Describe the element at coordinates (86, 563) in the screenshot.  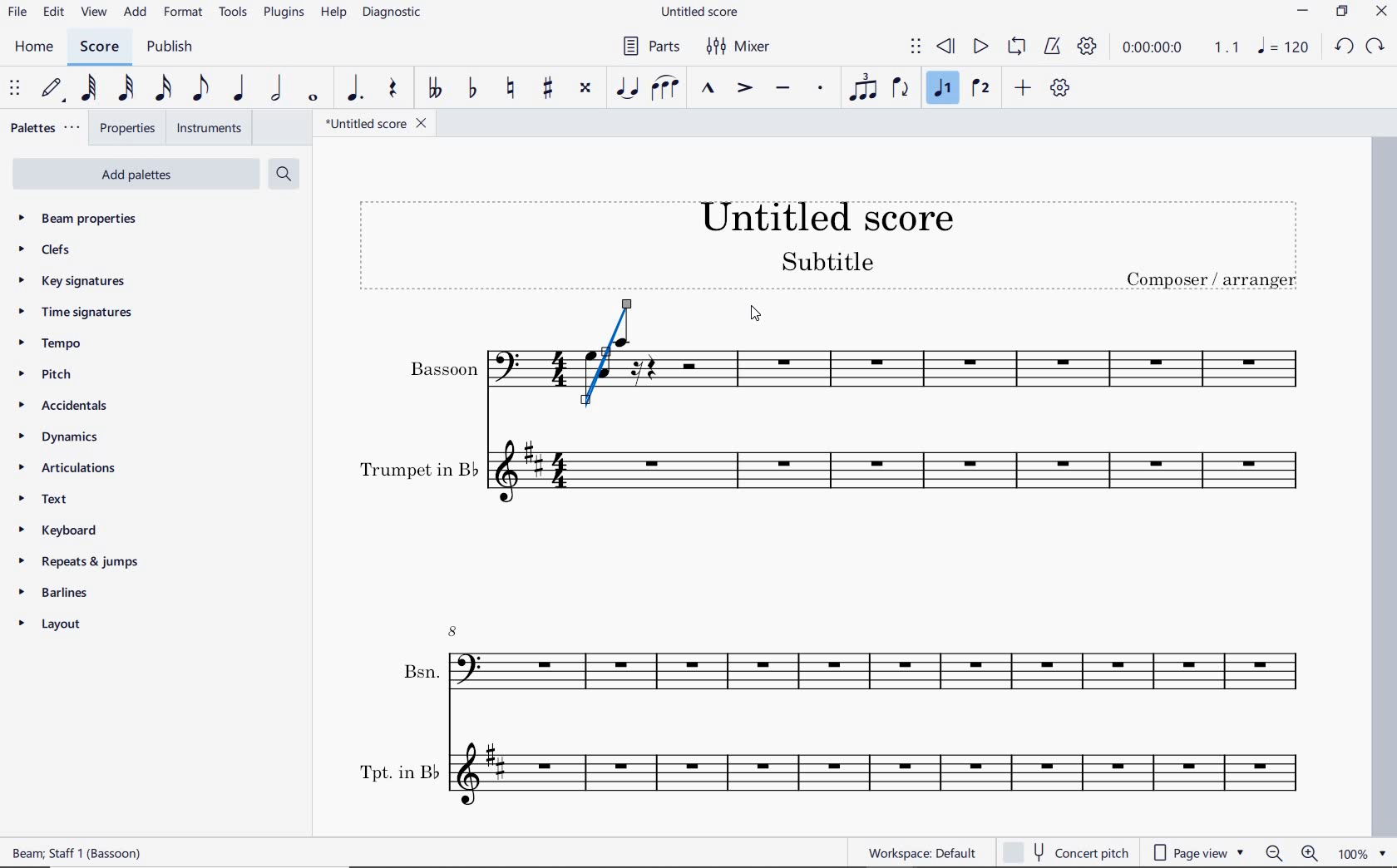
I see `repeats & jumps` at that location.